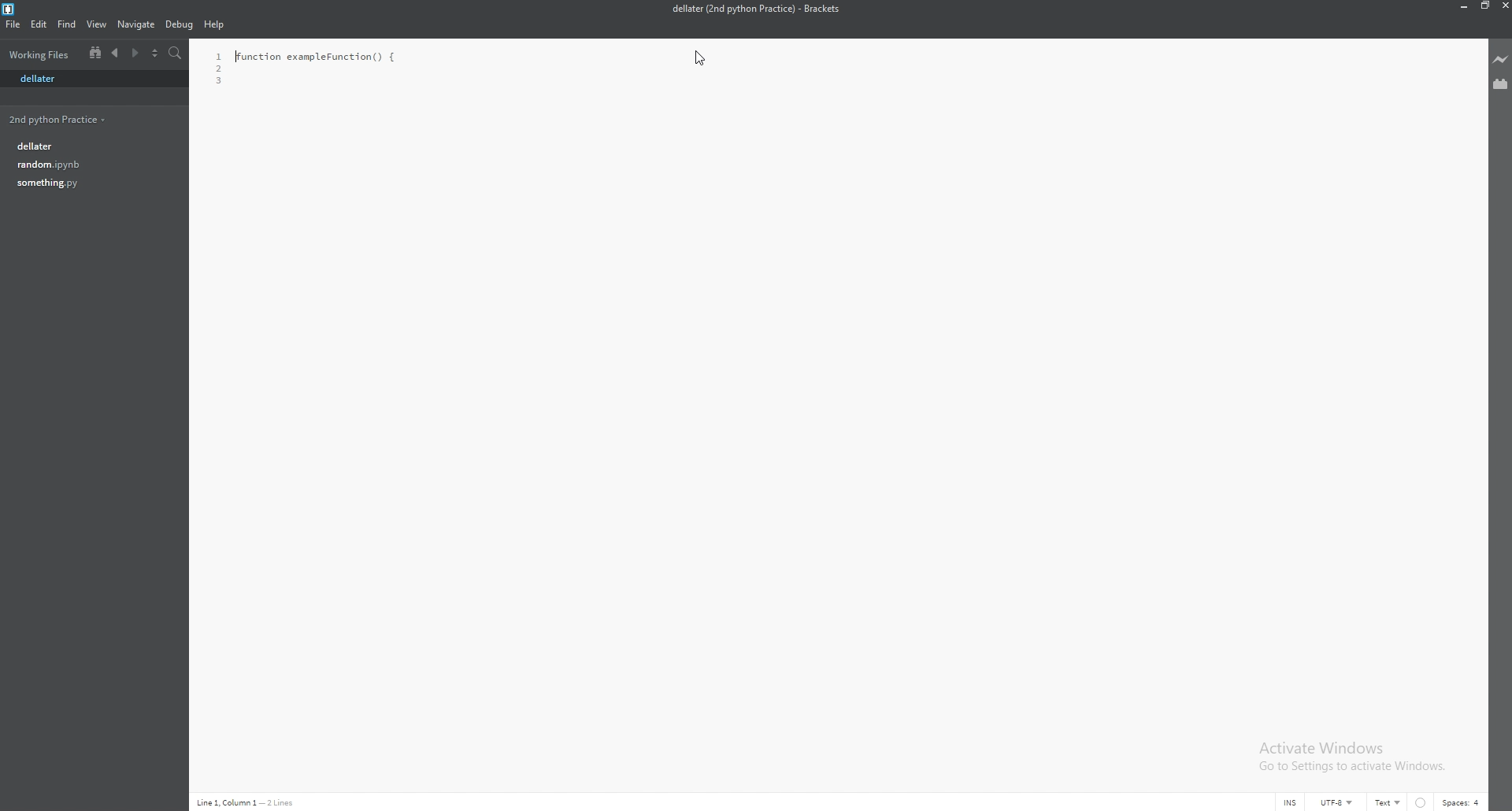 This screenshot has height=811, width=1512. What do you see at coordinates (88, 165) in the screenshot?
I see `random.ipynb` at bounding box center [88, 165].